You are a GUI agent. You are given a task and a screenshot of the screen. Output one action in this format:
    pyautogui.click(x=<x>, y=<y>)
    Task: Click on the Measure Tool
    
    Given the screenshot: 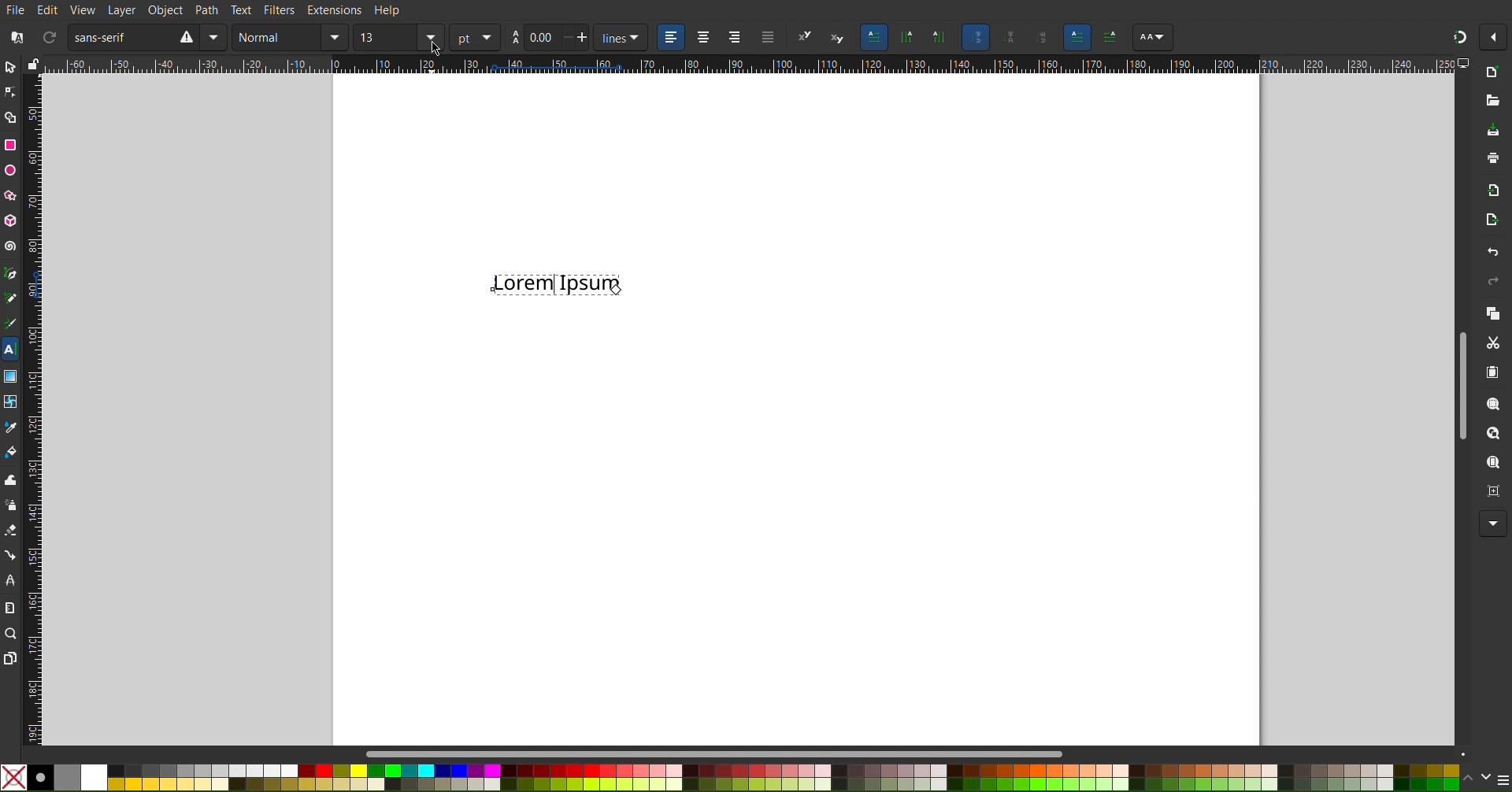 What is the action you would take?
    pyautogui.click(x=9, y=606)
    